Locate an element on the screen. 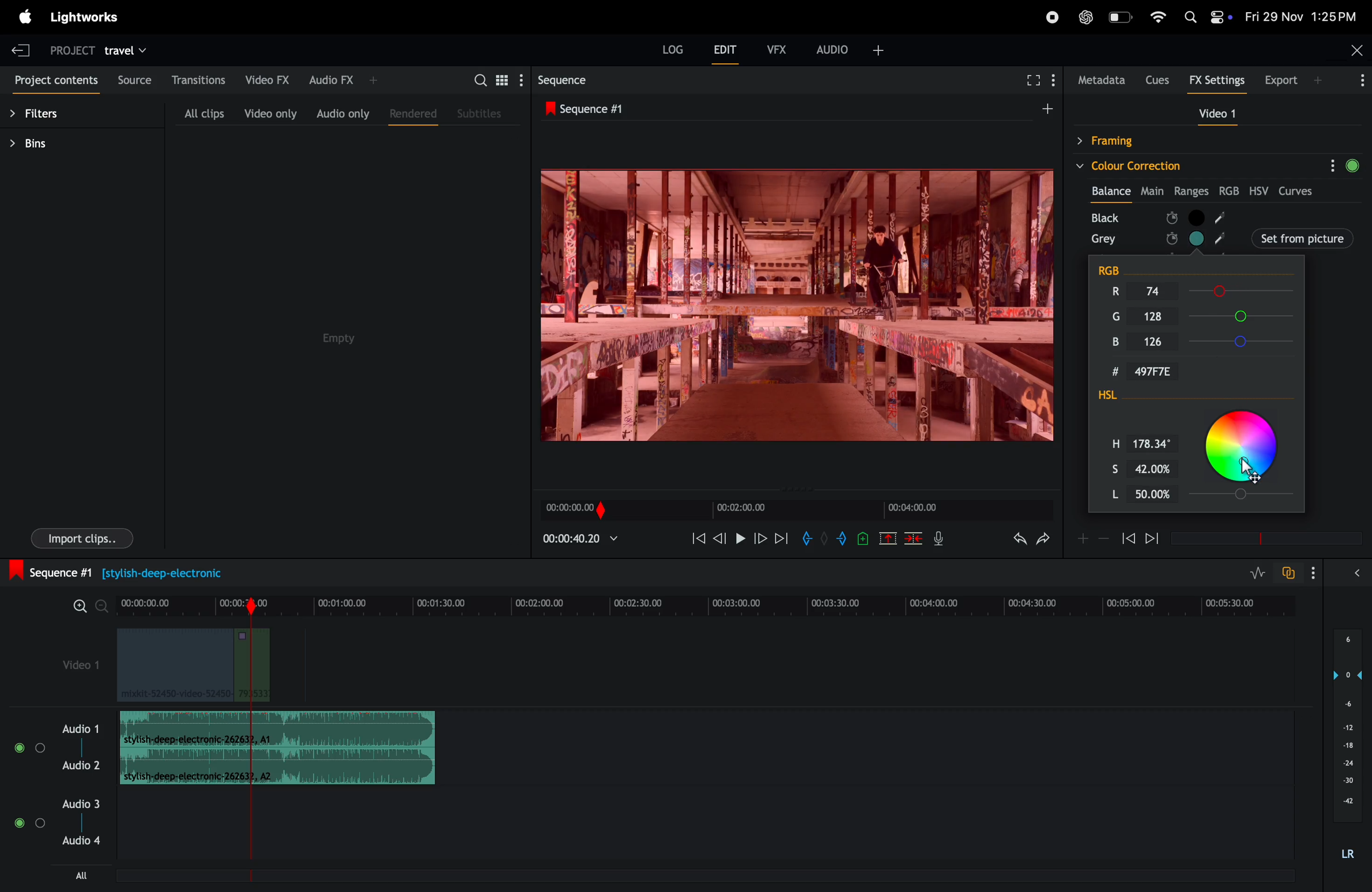 This screenshot has width=1372, height=892. undo is located at coordinates (1016, 541).